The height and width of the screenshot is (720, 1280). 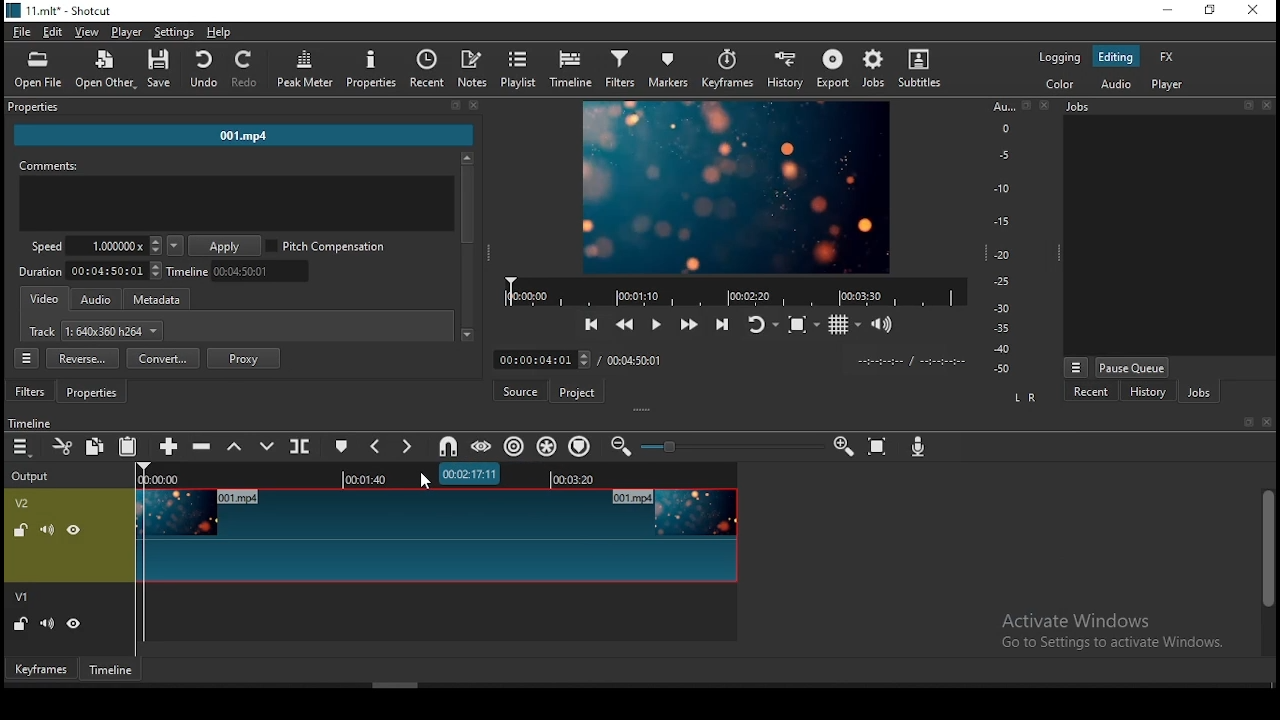 I want to click on properties menu, so click(x=29, y=358).